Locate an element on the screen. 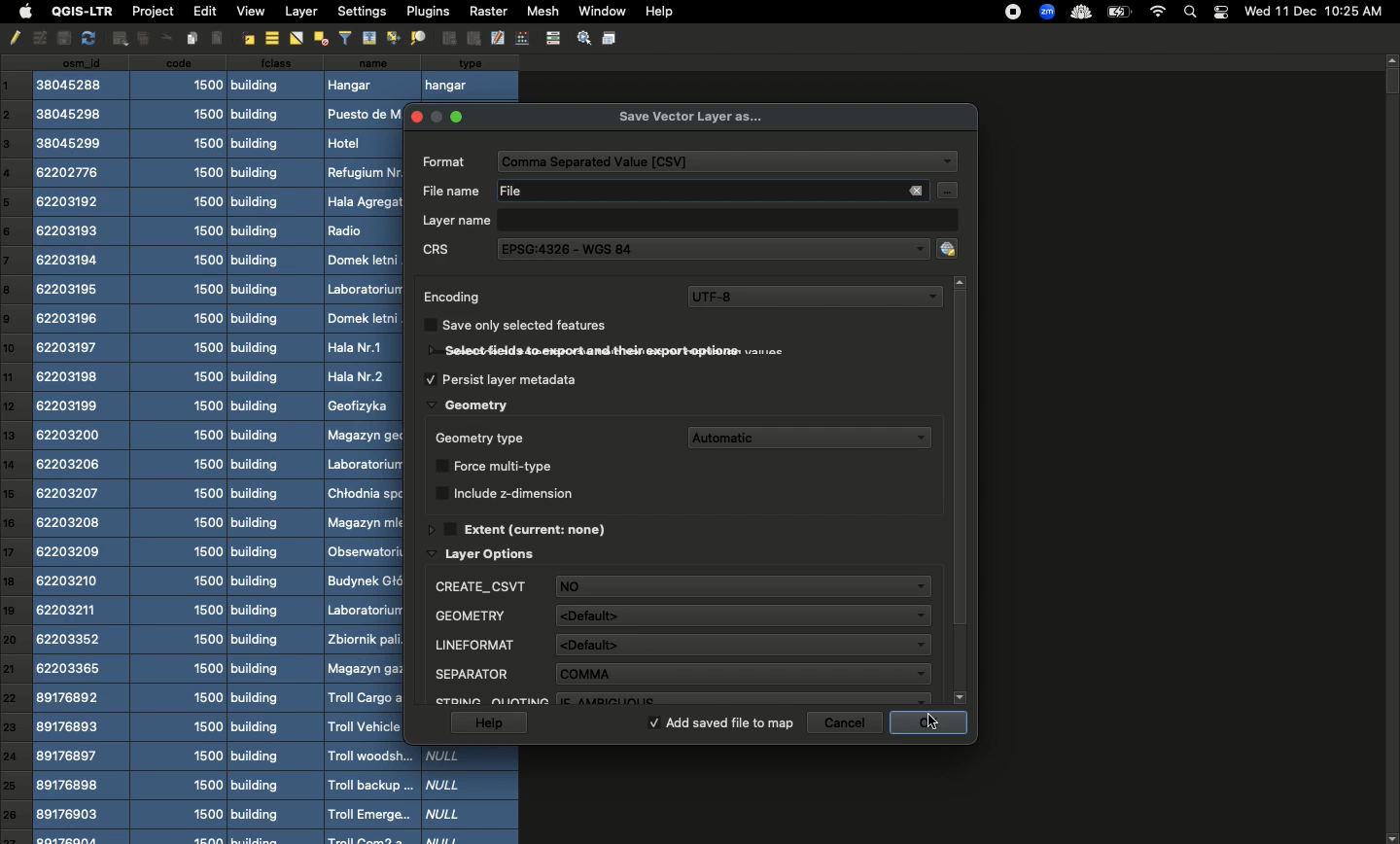 The width and height of the screenshot is (1400, 844). Mesh is located at coordinates (540, 11).